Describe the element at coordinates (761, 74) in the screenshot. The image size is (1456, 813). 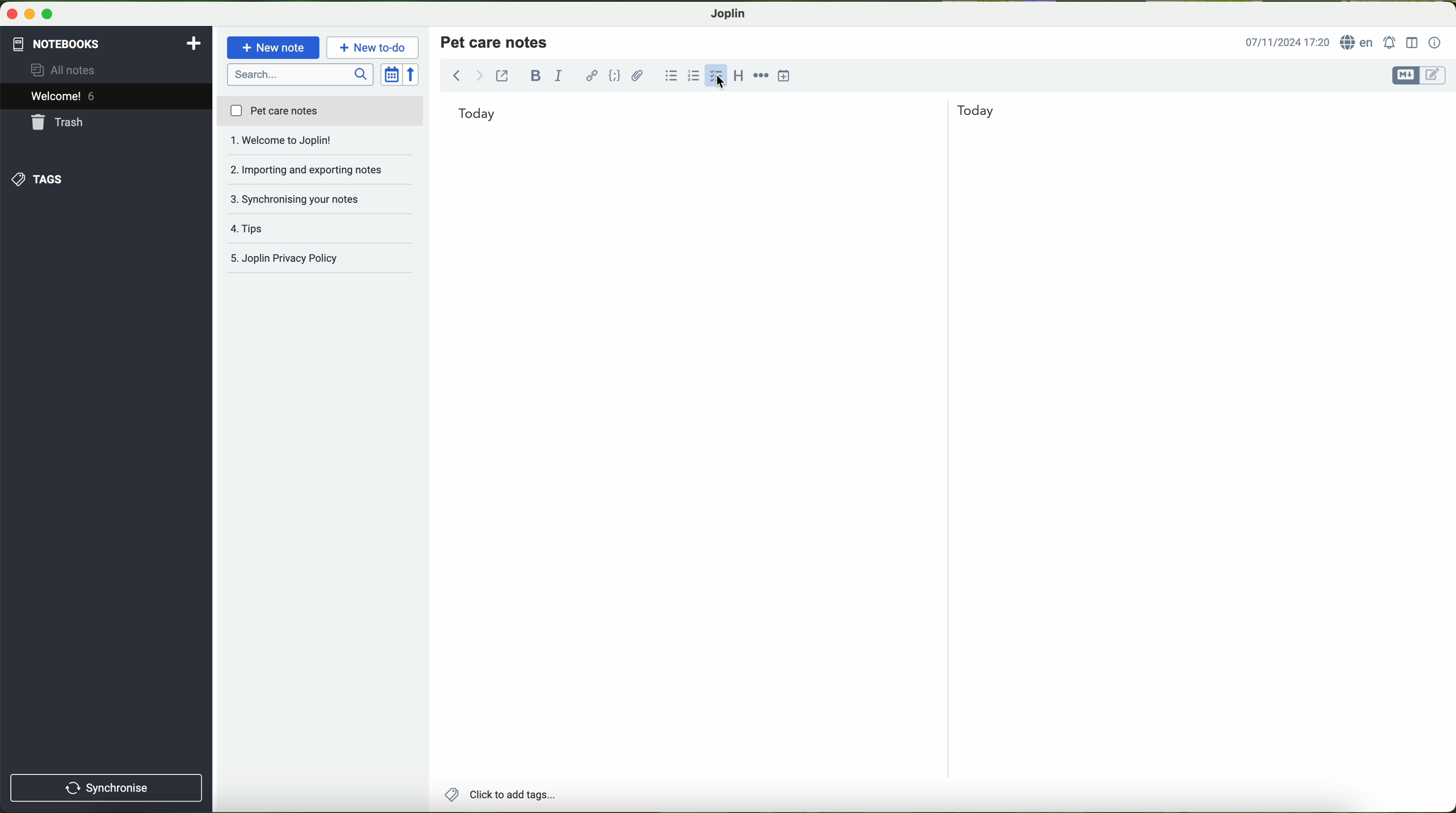
I see `horizontal rule` at that location.